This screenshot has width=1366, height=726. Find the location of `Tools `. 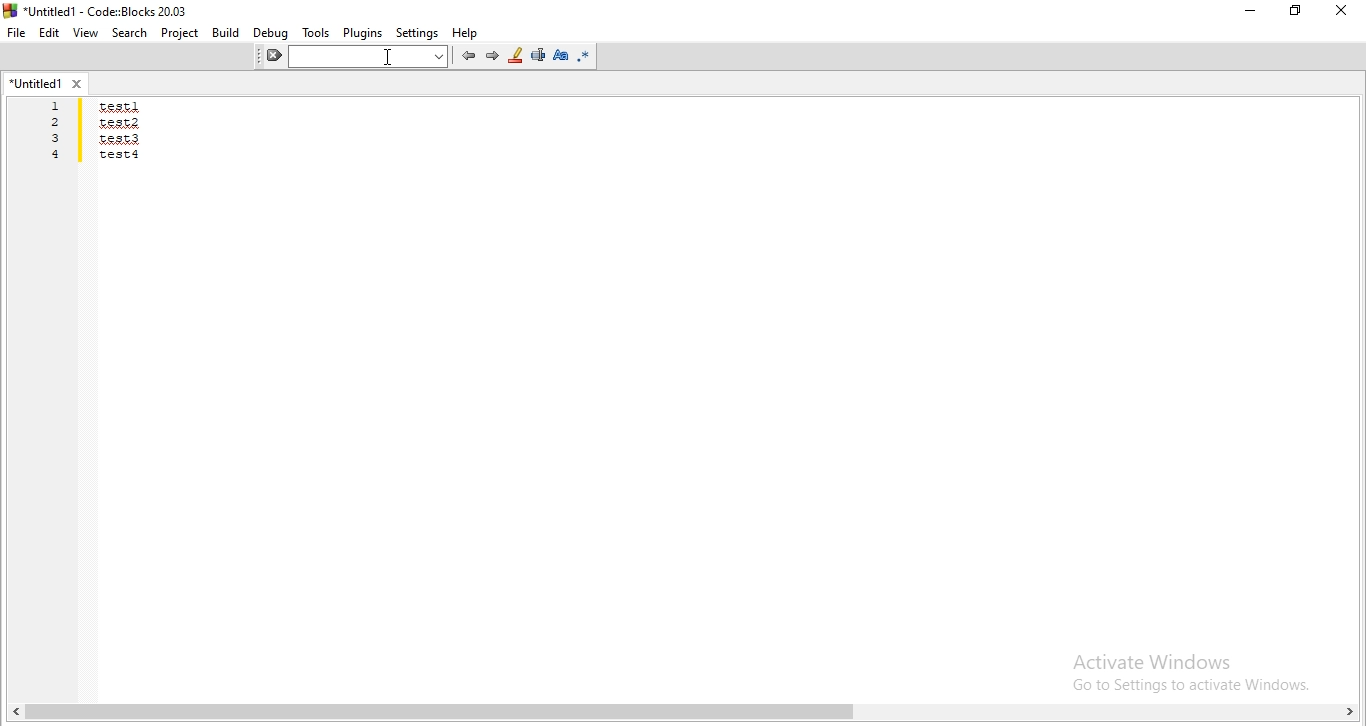

Tools  is located at coordinates (316, 32).